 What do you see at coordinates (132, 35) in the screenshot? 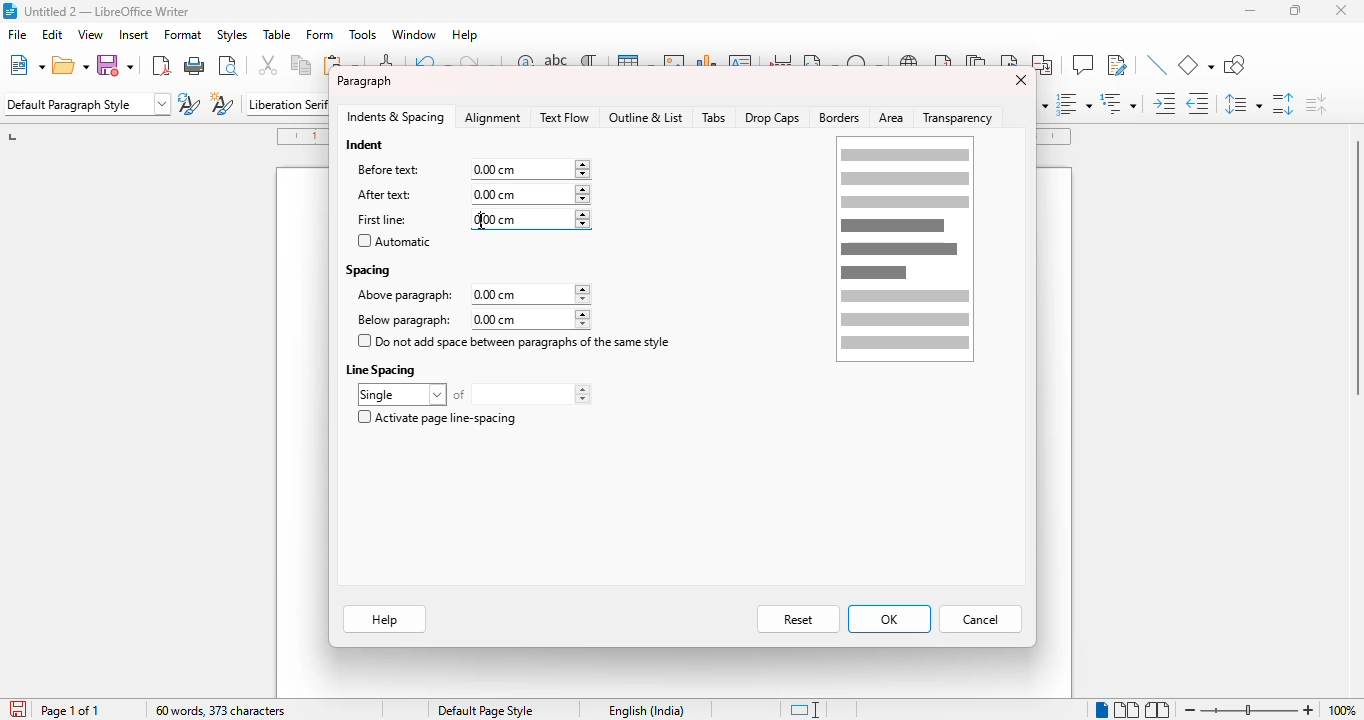
I see `insert` at bounding box center [132, 35].